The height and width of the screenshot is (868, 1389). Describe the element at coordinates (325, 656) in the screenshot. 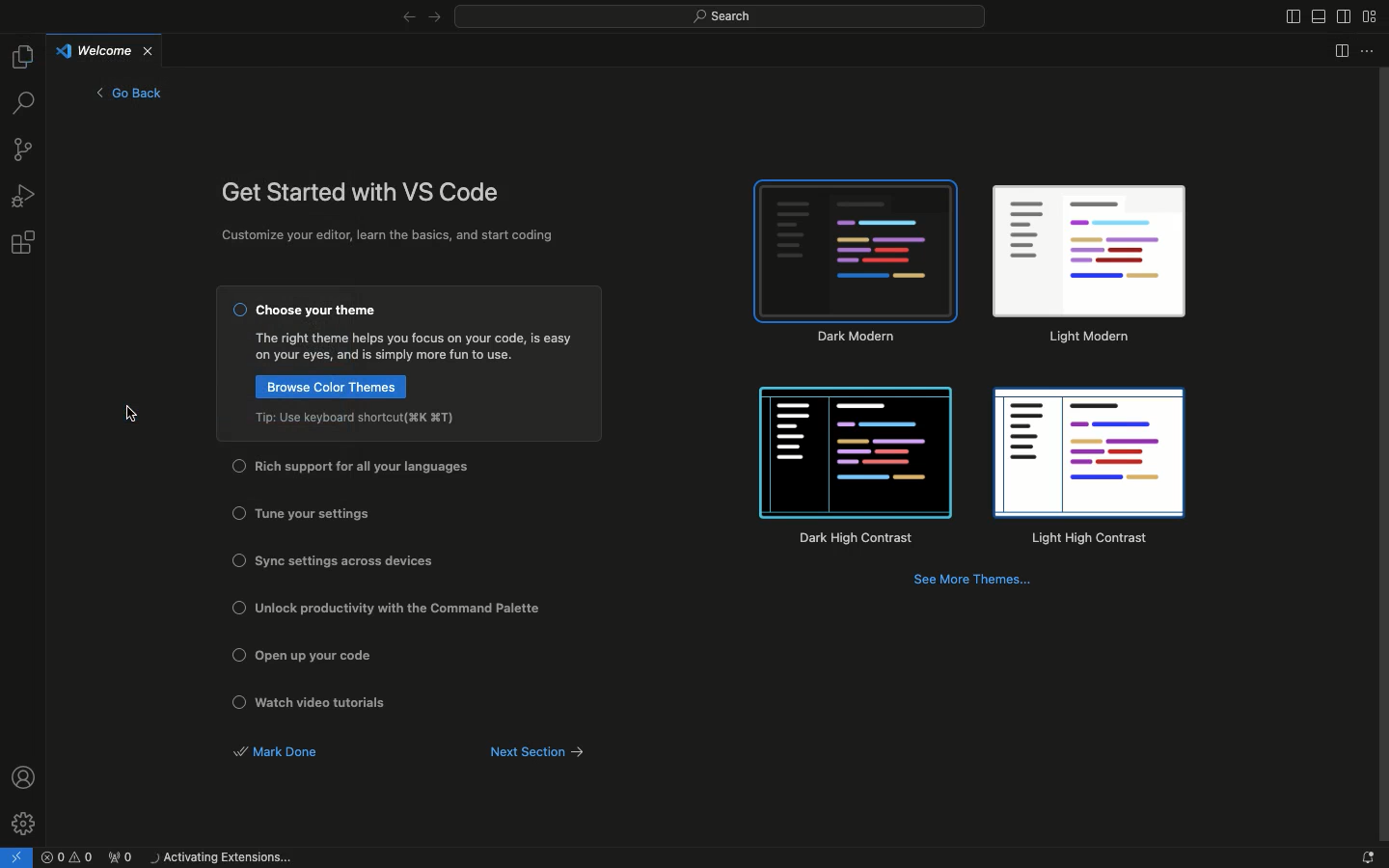

I see `Open up your code` at that location.